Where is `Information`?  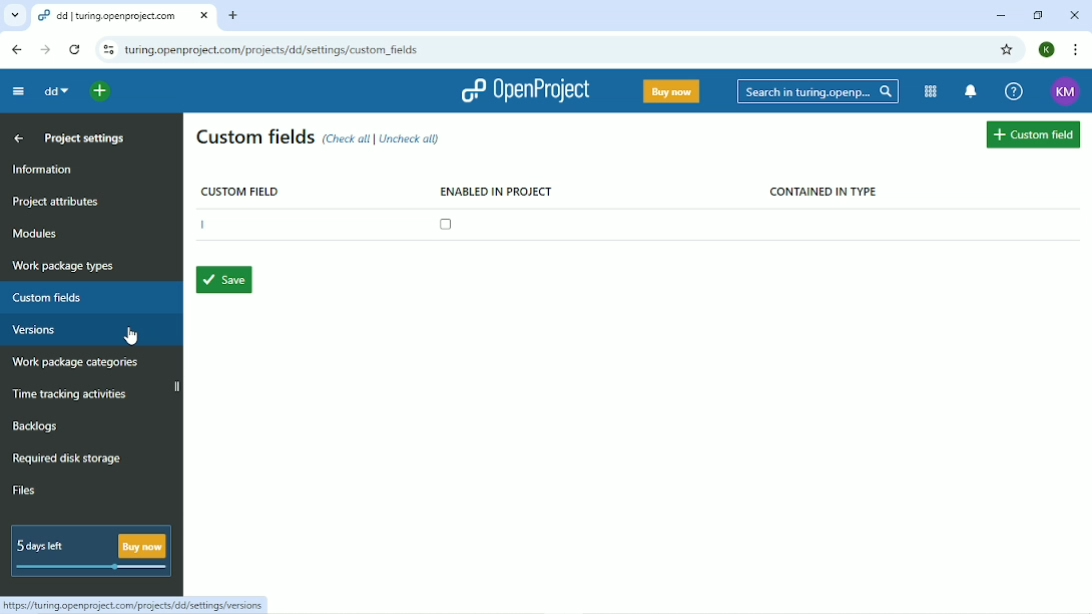 Information is located at coordinates (45, 170).